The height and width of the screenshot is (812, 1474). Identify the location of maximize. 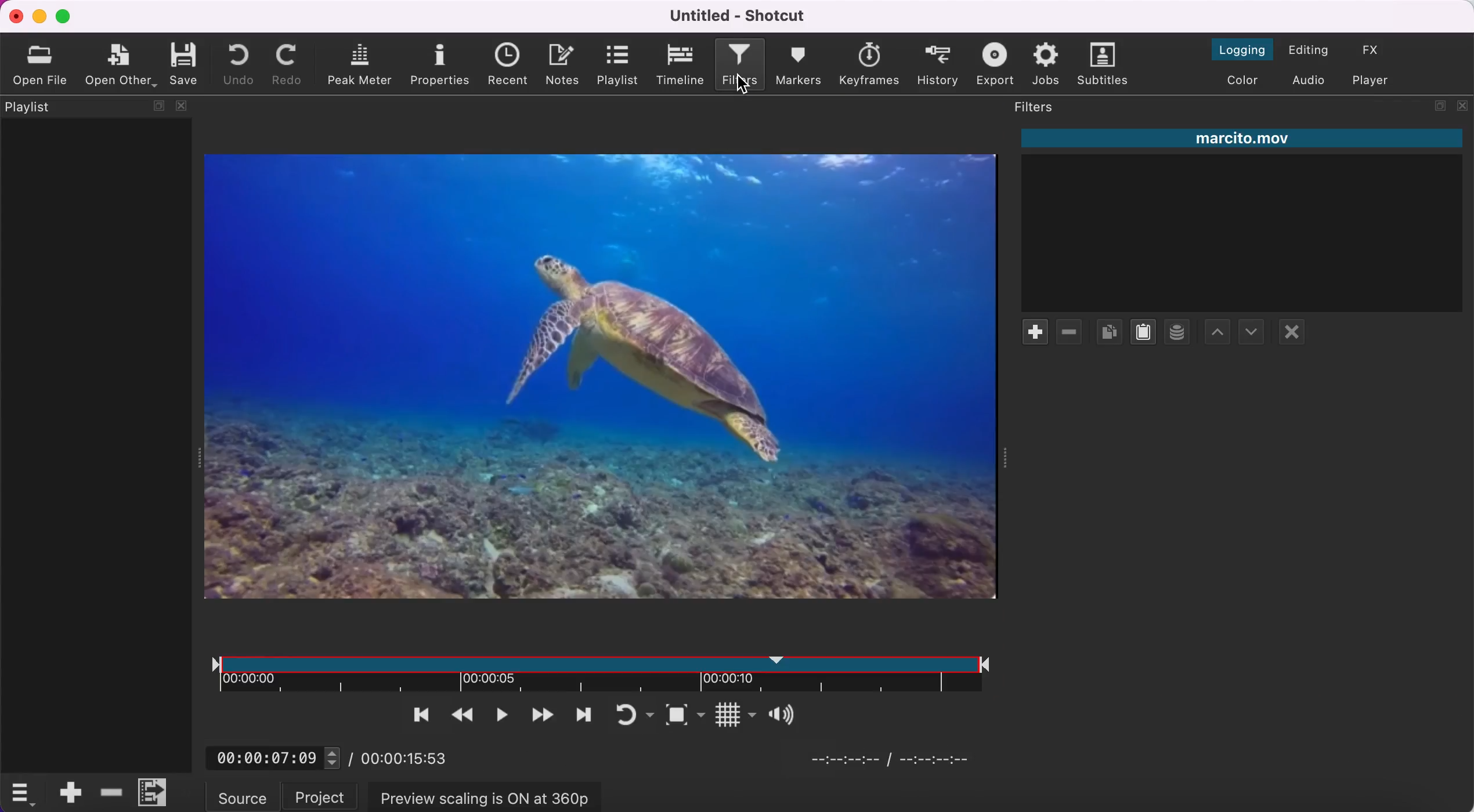
(68, 17).